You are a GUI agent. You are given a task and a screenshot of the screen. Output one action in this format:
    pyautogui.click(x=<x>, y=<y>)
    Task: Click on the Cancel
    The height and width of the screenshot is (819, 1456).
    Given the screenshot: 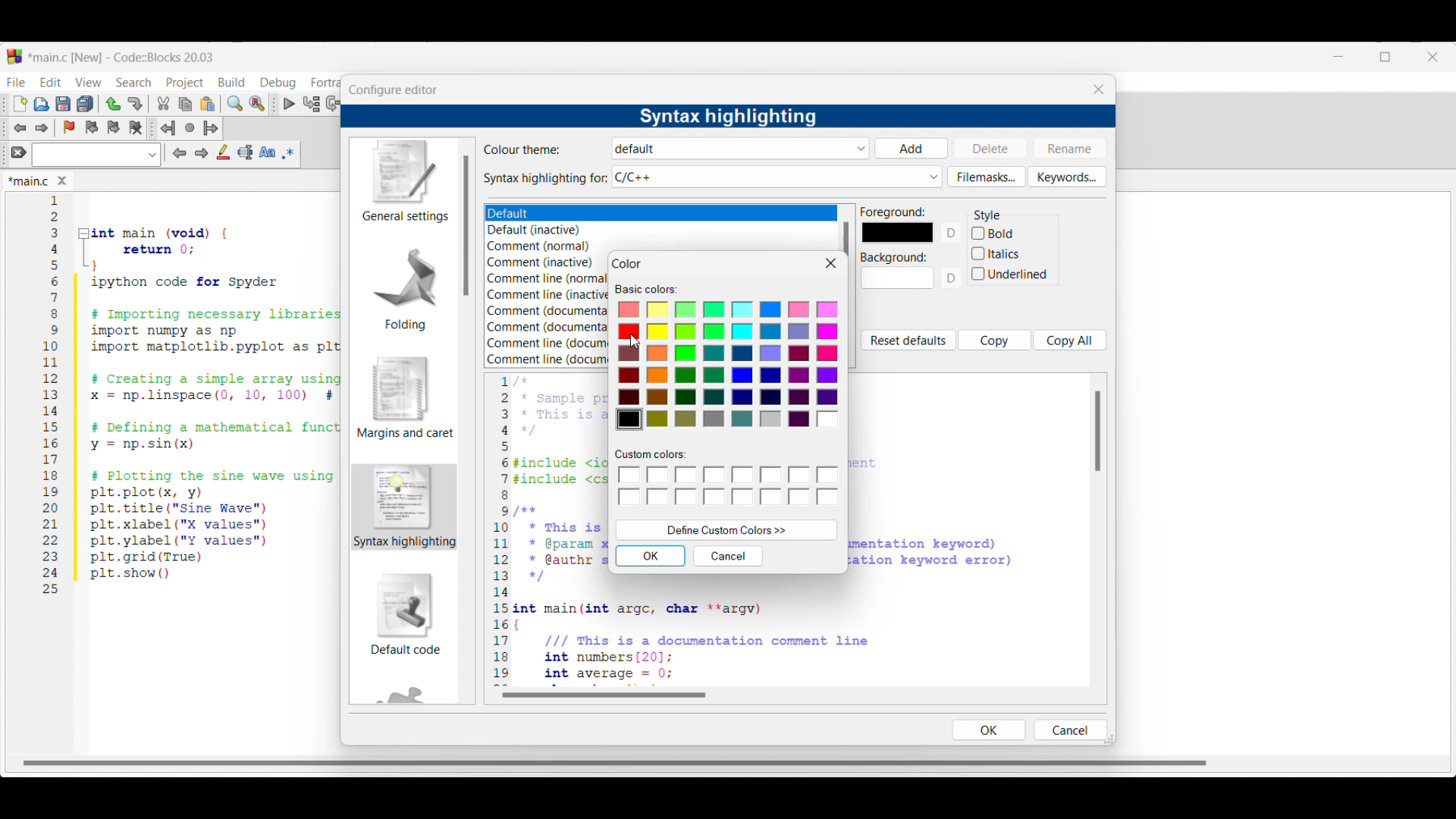 What is the action you would take?
    pyautogui.click(x=729, y=556)
    